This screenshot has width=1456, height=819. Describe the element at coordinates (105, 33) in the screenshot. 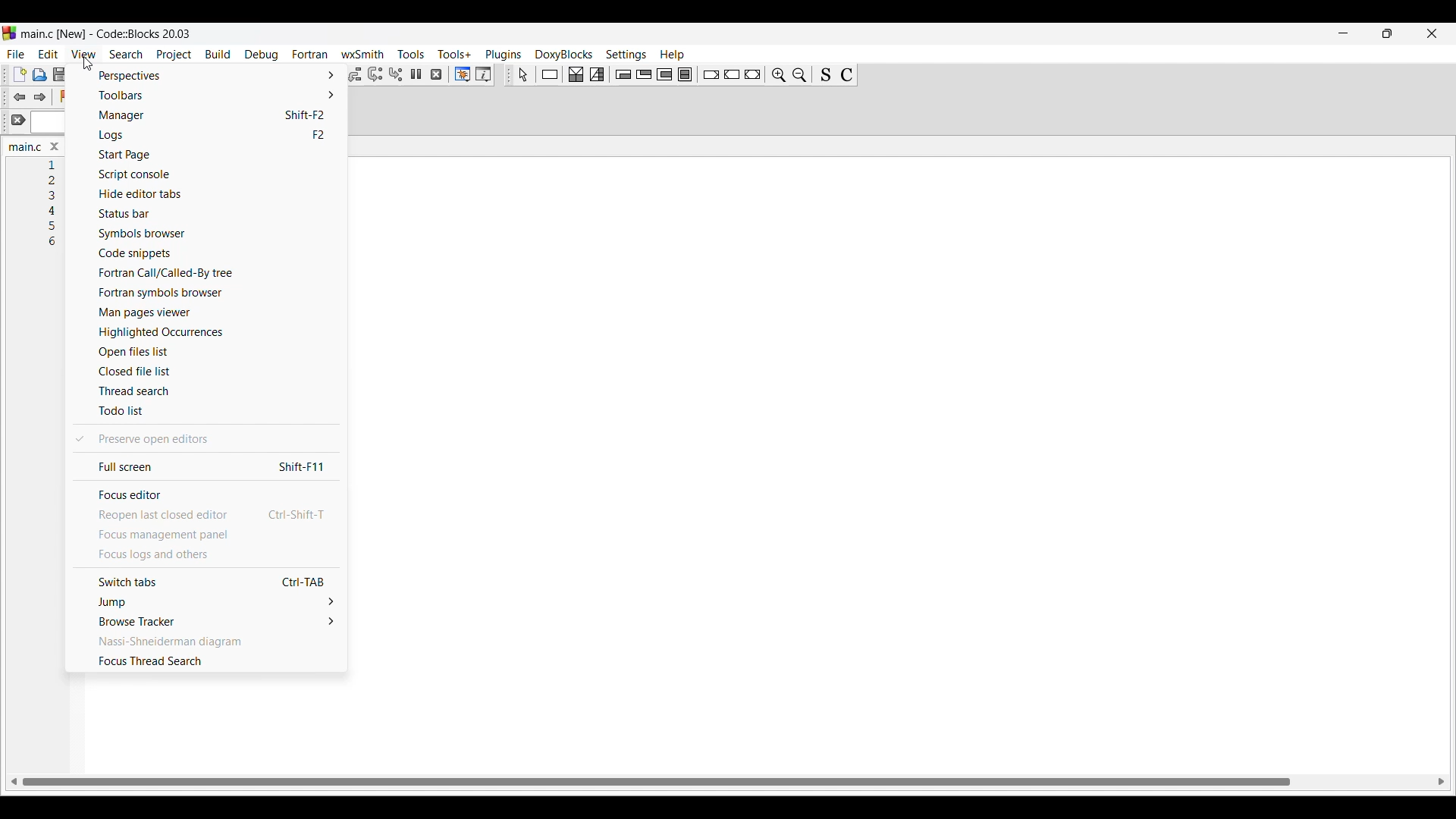

I see `Project name, software name and version` at that location.